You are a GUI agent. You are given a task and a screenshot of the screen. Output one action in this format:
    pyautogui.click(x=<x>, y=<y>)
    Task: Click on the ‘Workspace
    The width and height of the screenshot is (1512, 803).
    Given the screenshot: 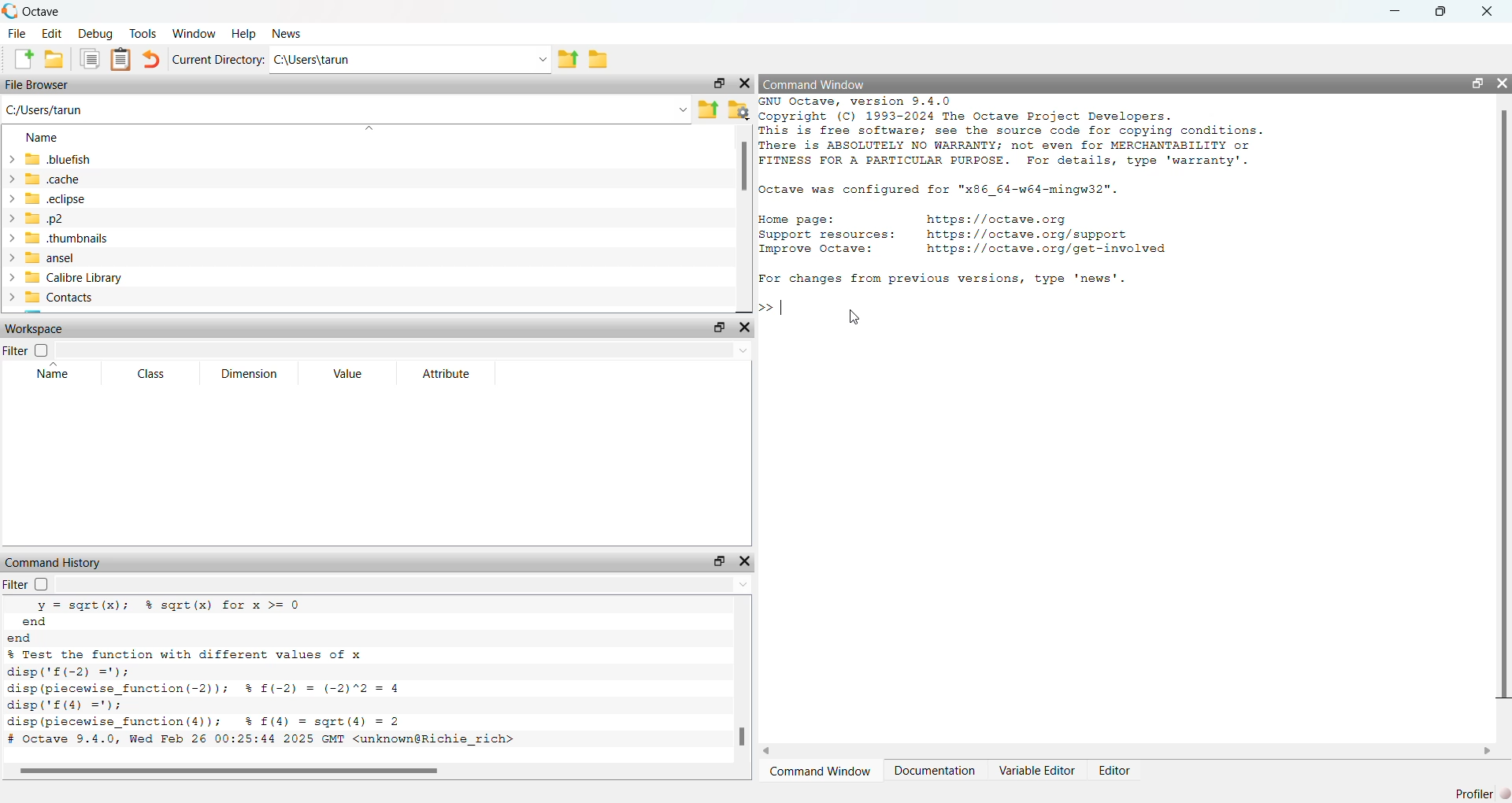 What is the action you would take?
    pyautogui.click(x=39, y=330)
    